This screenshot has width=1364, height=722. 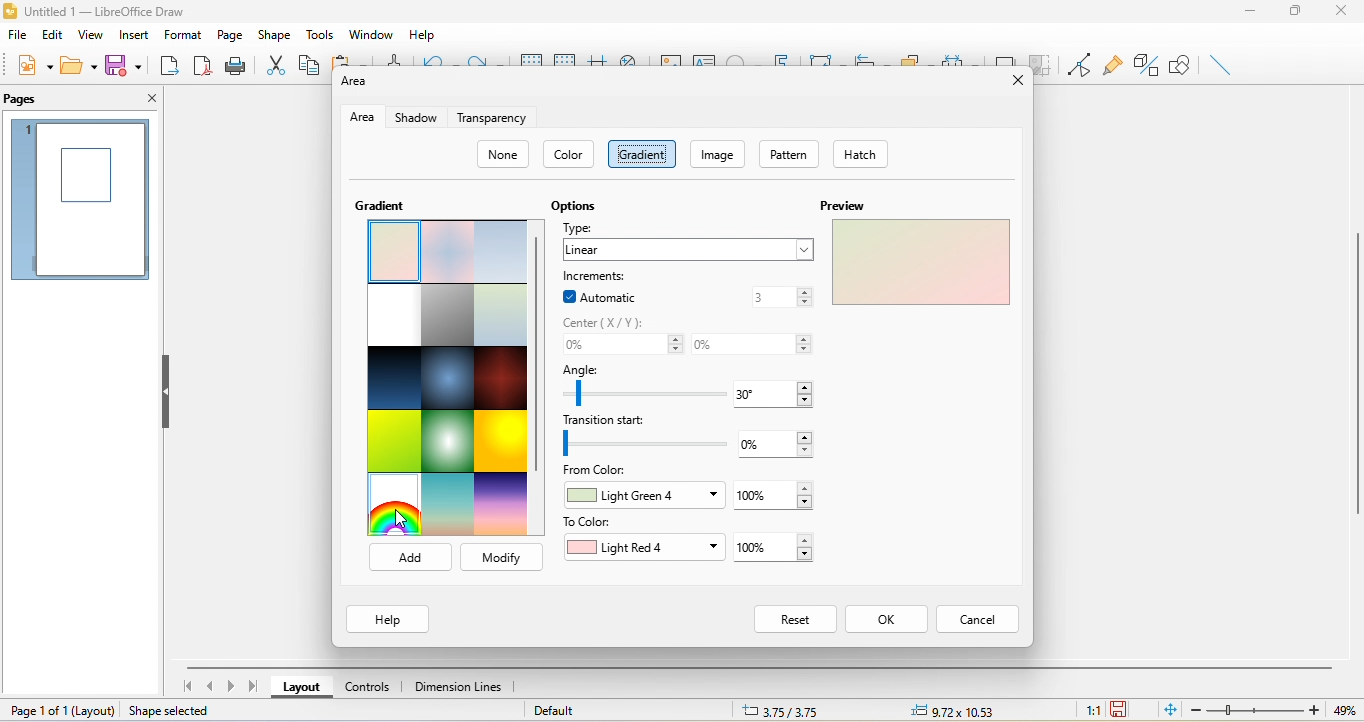 What do you see at coordinates (309, 64) in the screenshot?
I see `copy` at bounding box center [309, 64].